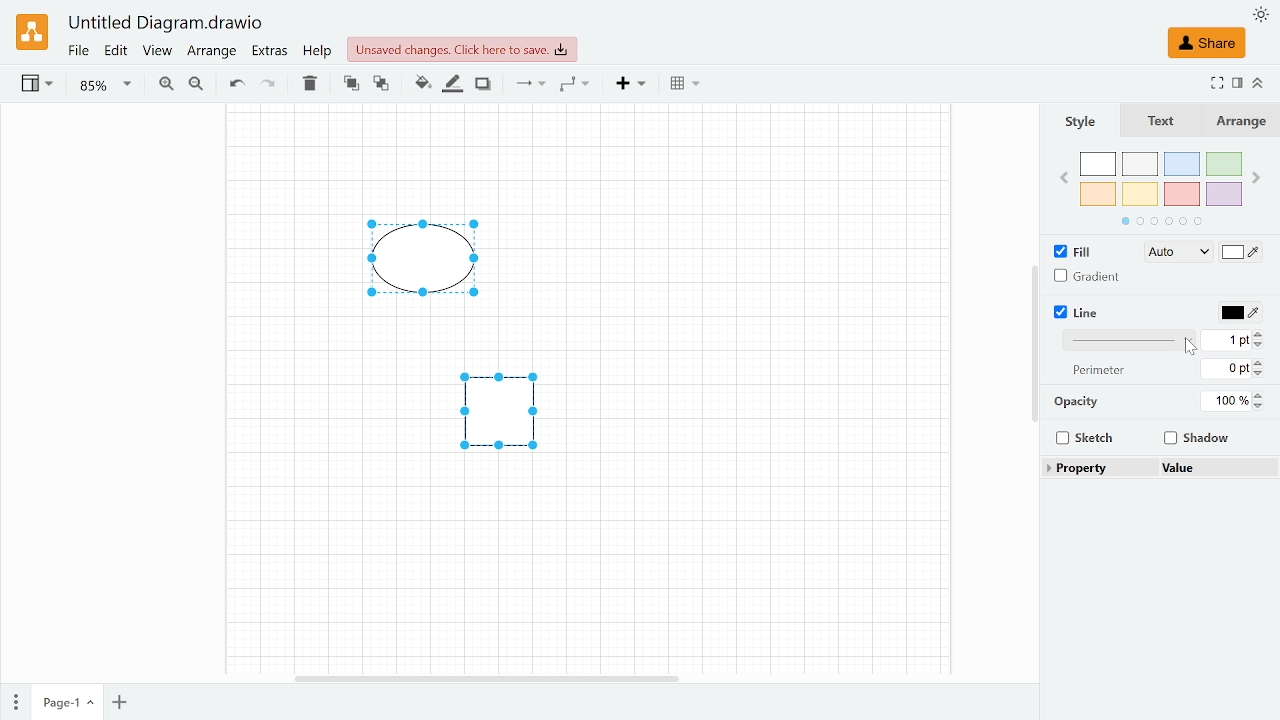 The width and height of the screenshot is (1280, 720). Describe the element at coordinates (1260, 14) in the screenshot. I see `Appearence` at that location.